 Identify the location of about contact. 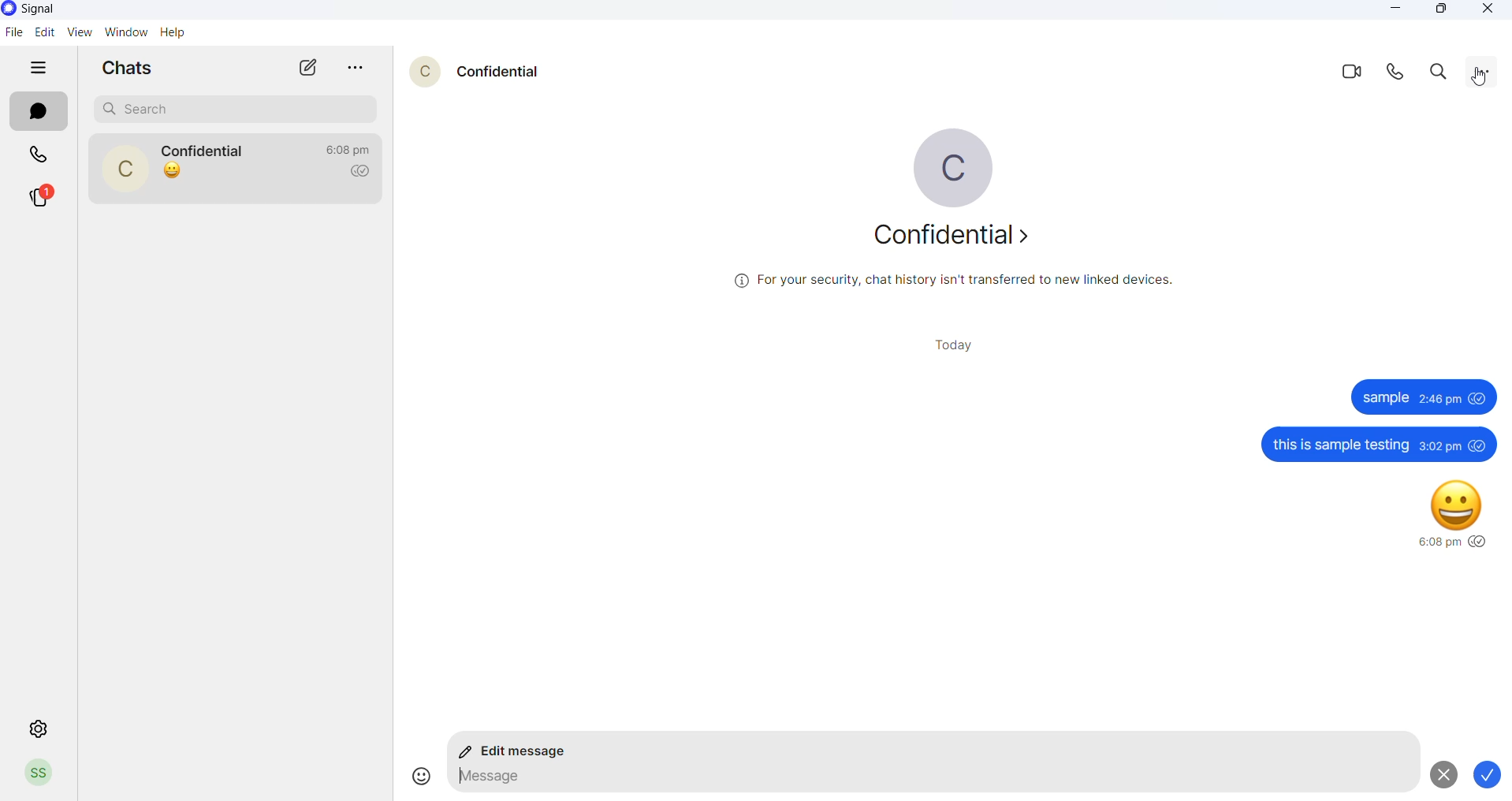
(944, 237).